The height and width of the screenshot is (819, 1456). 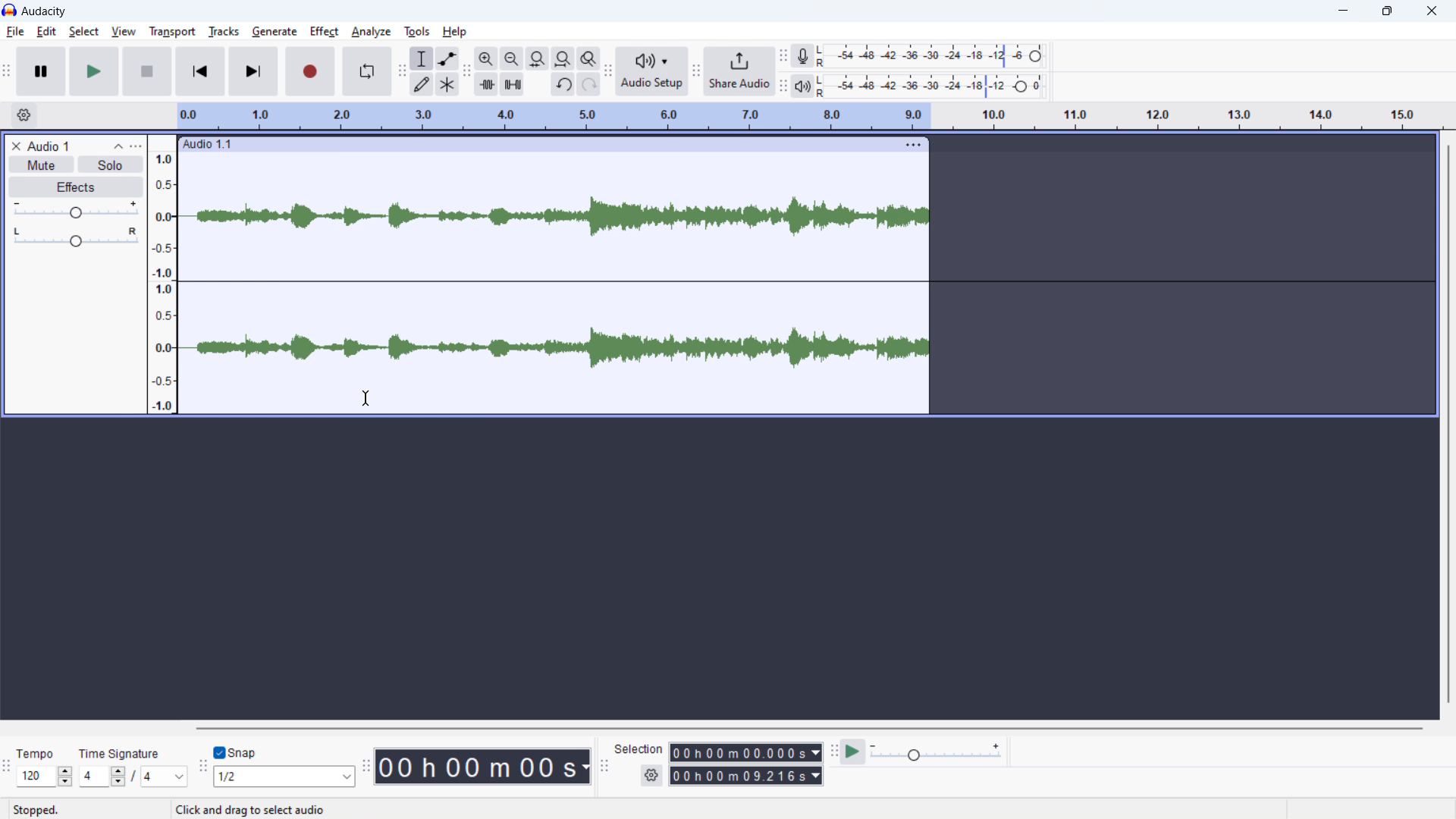 What do you see at coordinates (133, 777) in the screenshot?
I see `set time signature` at bounding box center [133, 777].